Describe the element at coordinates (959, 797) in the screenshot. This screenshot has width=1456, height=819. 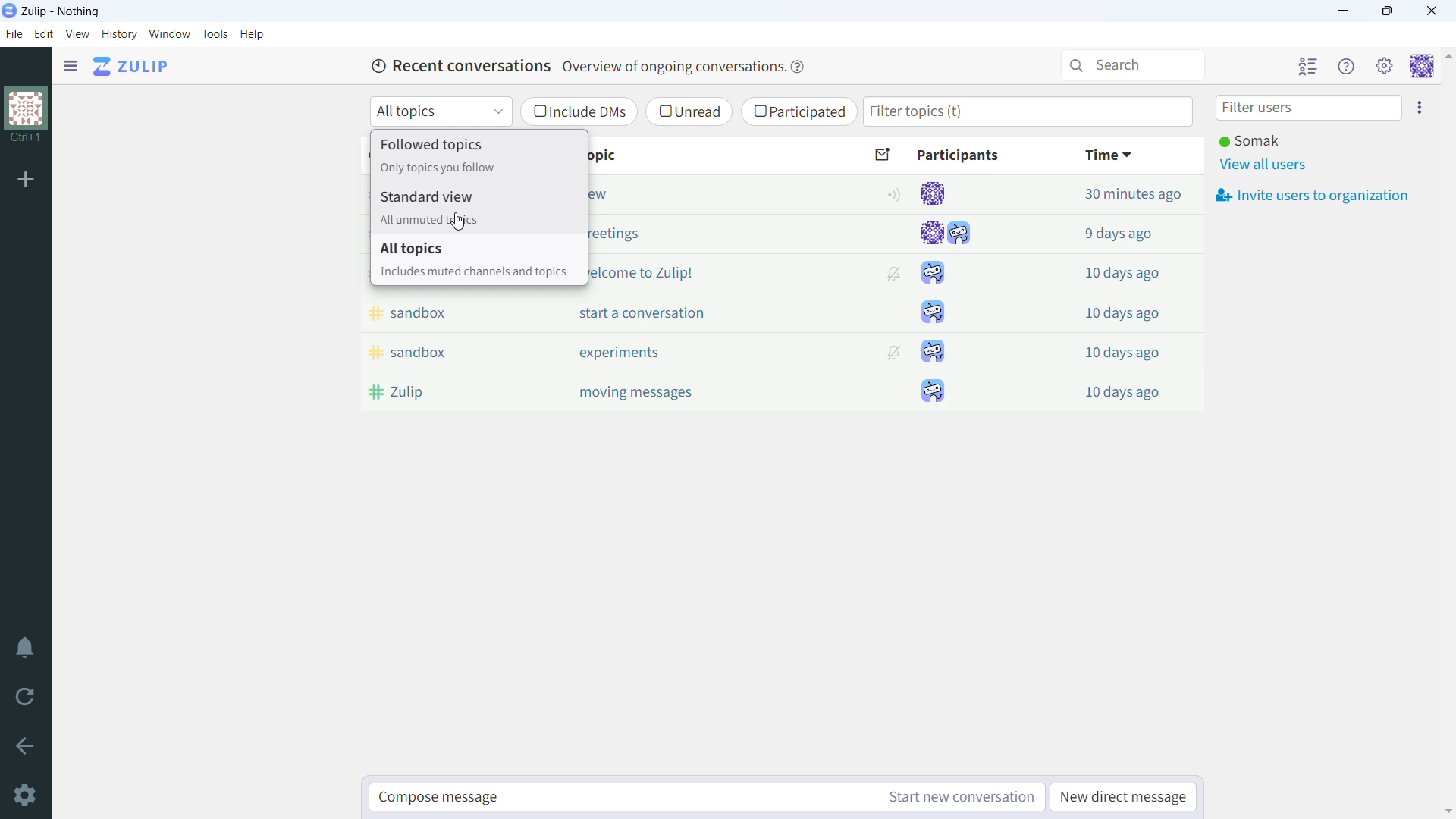
I see `start new conversation` at that location.